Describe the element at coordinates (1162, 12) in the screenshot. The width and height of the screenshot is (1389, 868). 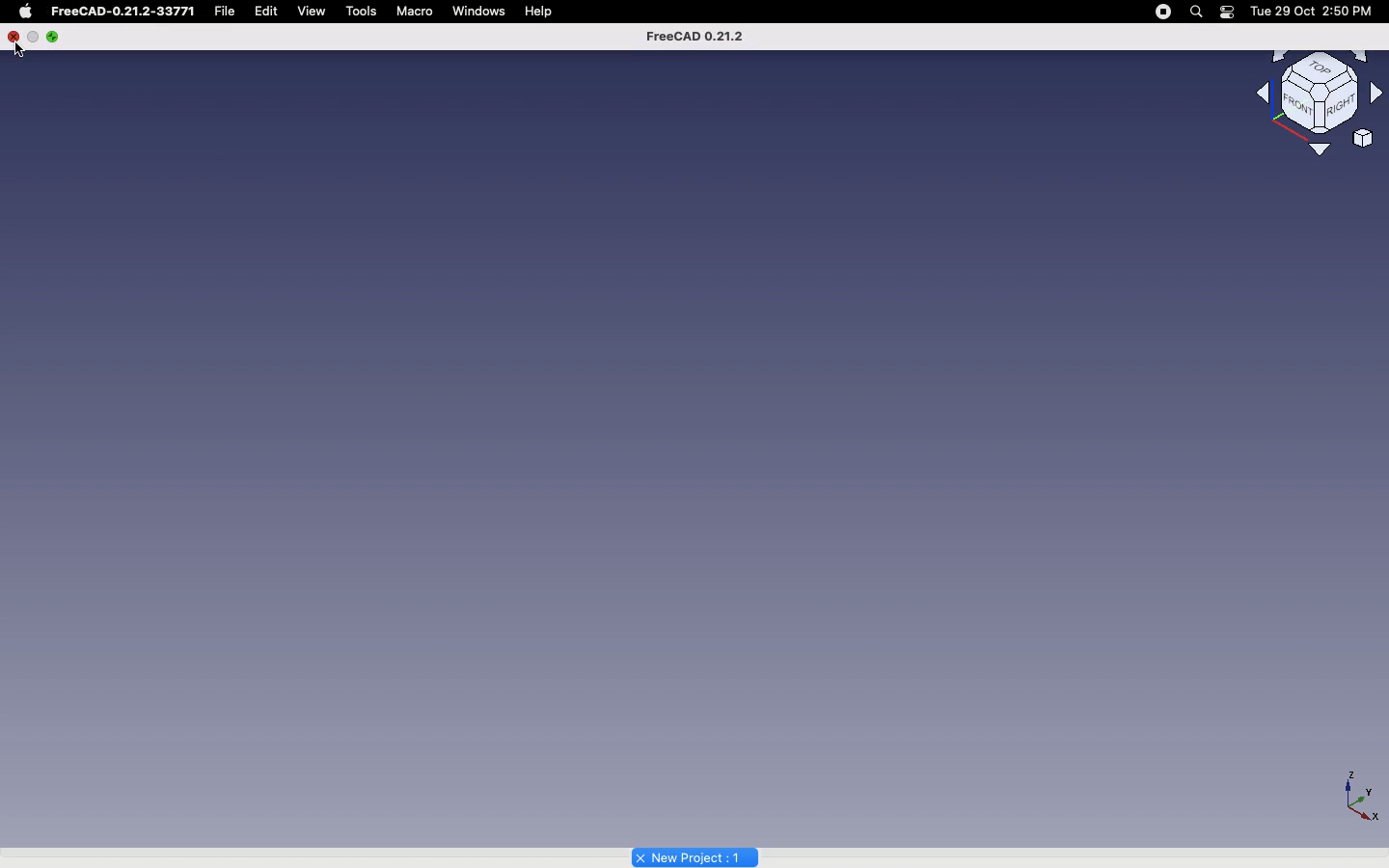
I see `Recording` at that location.